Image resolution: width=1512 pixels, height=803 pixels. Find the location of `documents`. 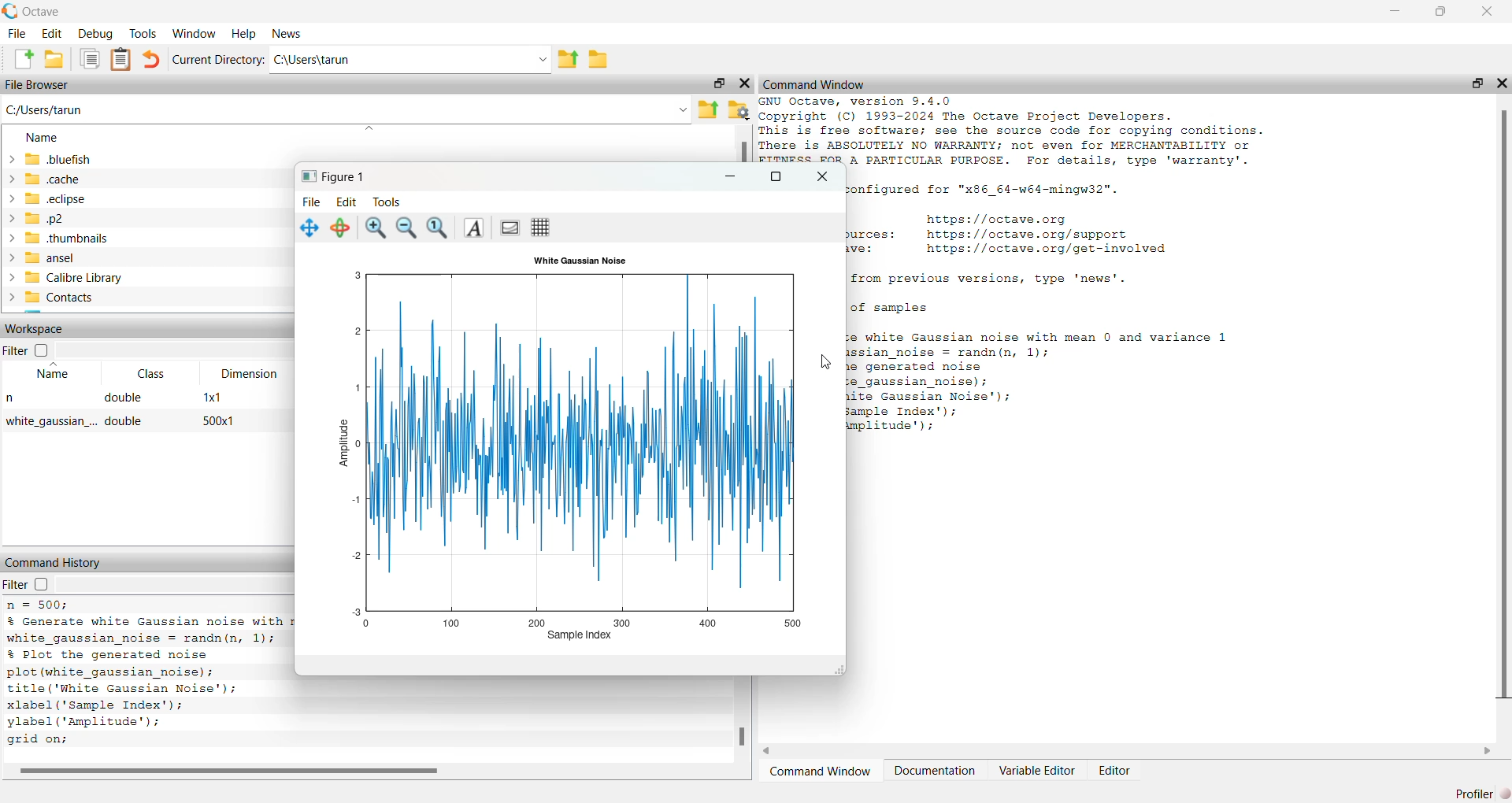

documents is located at coordinates (88, 61).